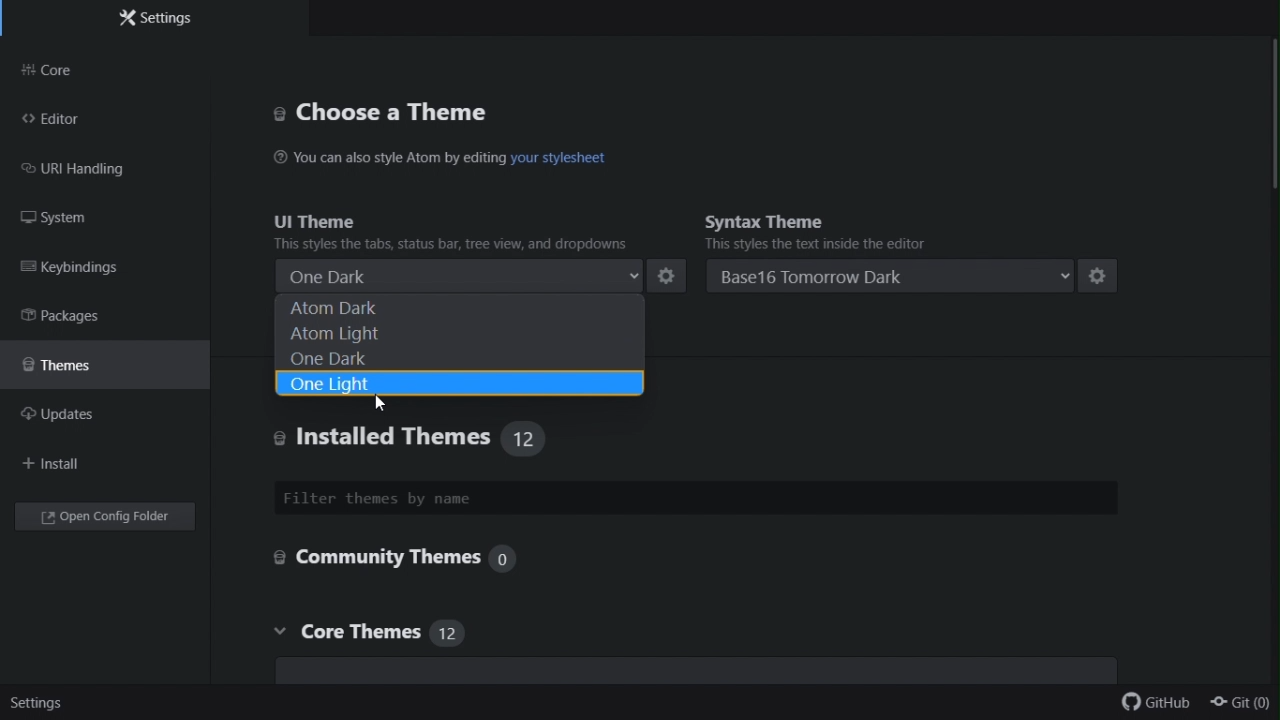 Image resolution: width=1280 pixels, height=720 pixels. What do you see at coordinates (391, 560) in the screenshot?
I see `Community themes` at bounding box center [391, 560].